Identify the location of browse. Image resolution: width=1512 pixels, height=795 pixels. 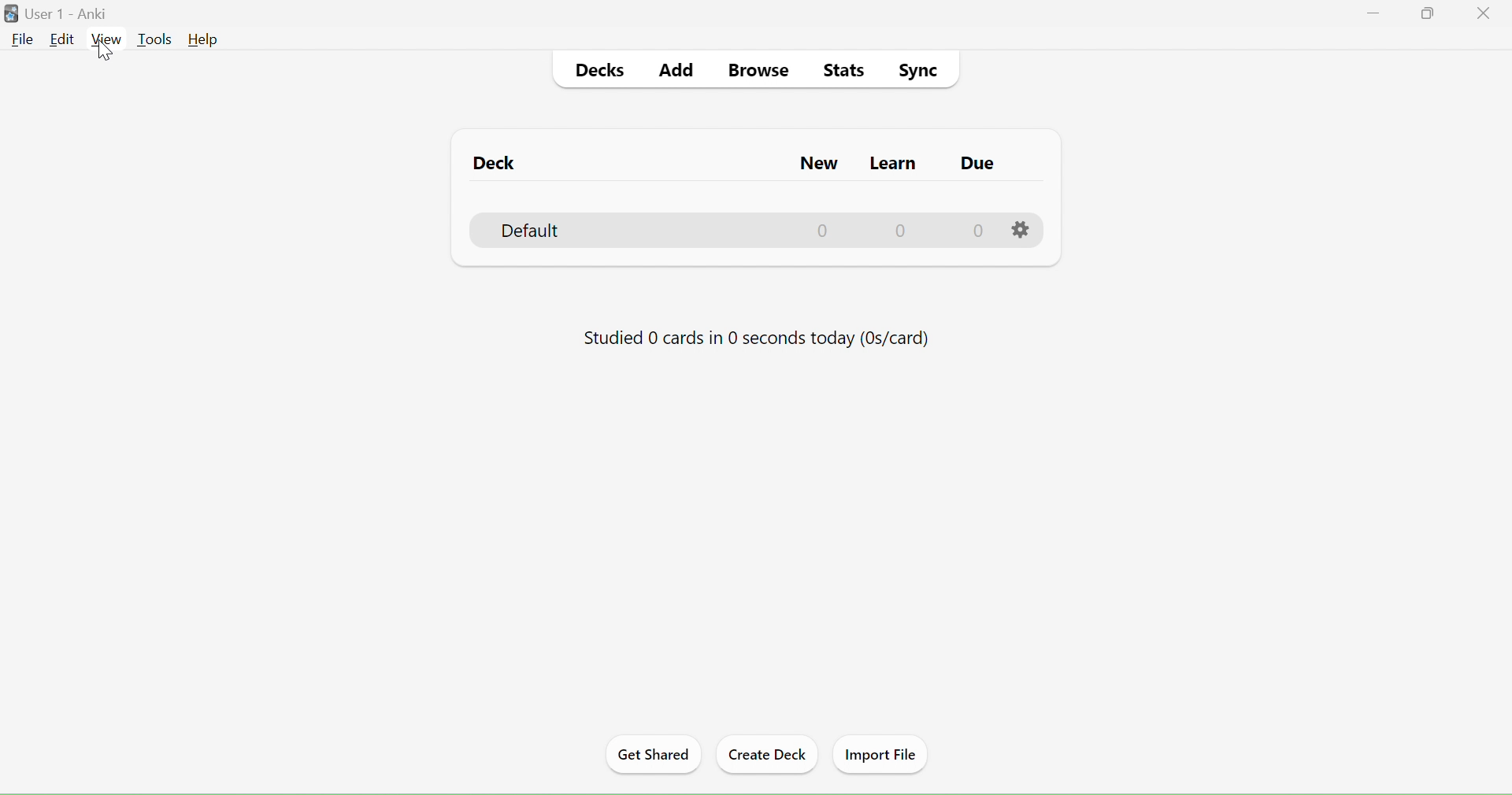
(763, 71).